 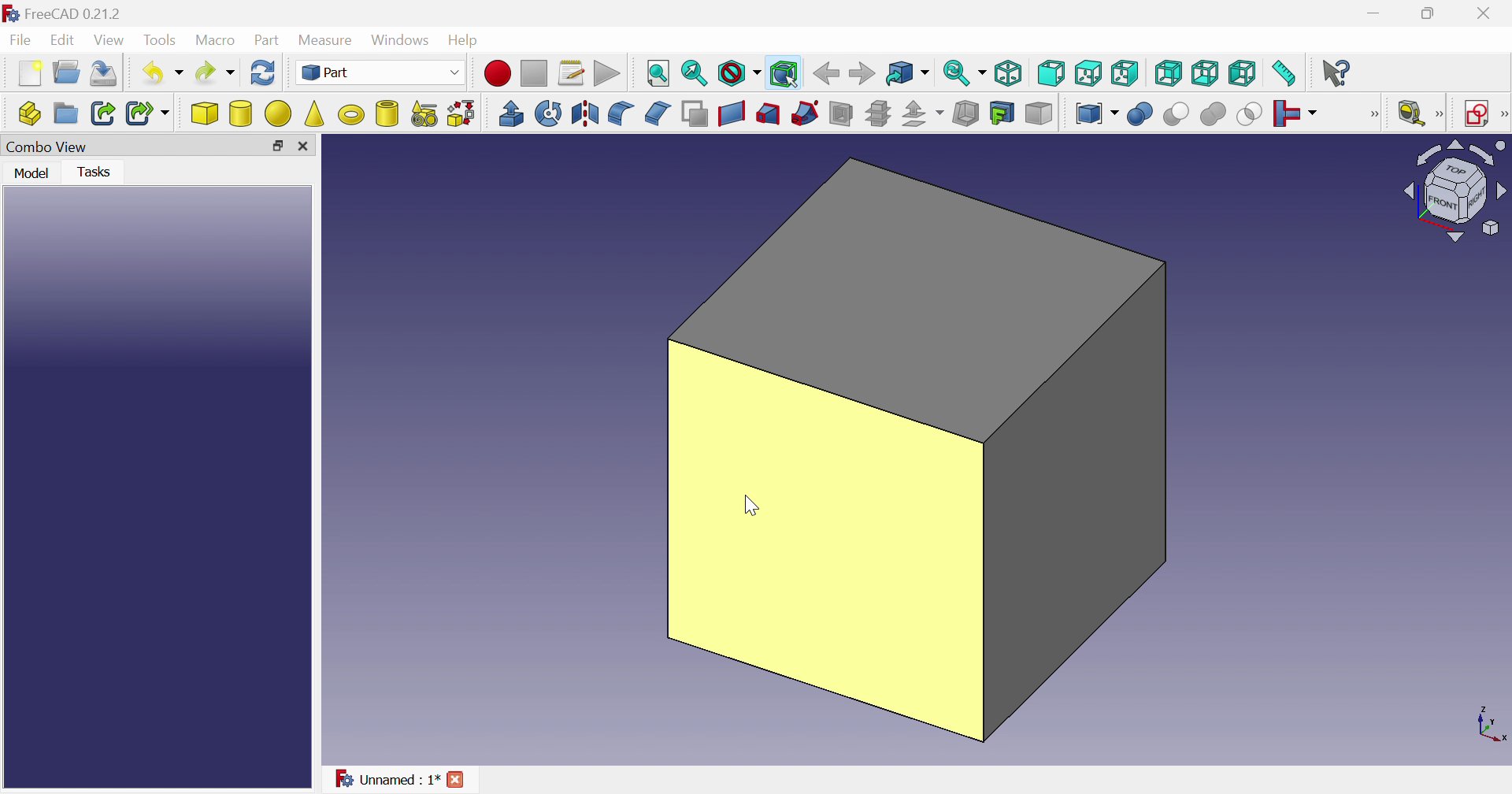 I want to click on Model, so click(x=30, y=172).